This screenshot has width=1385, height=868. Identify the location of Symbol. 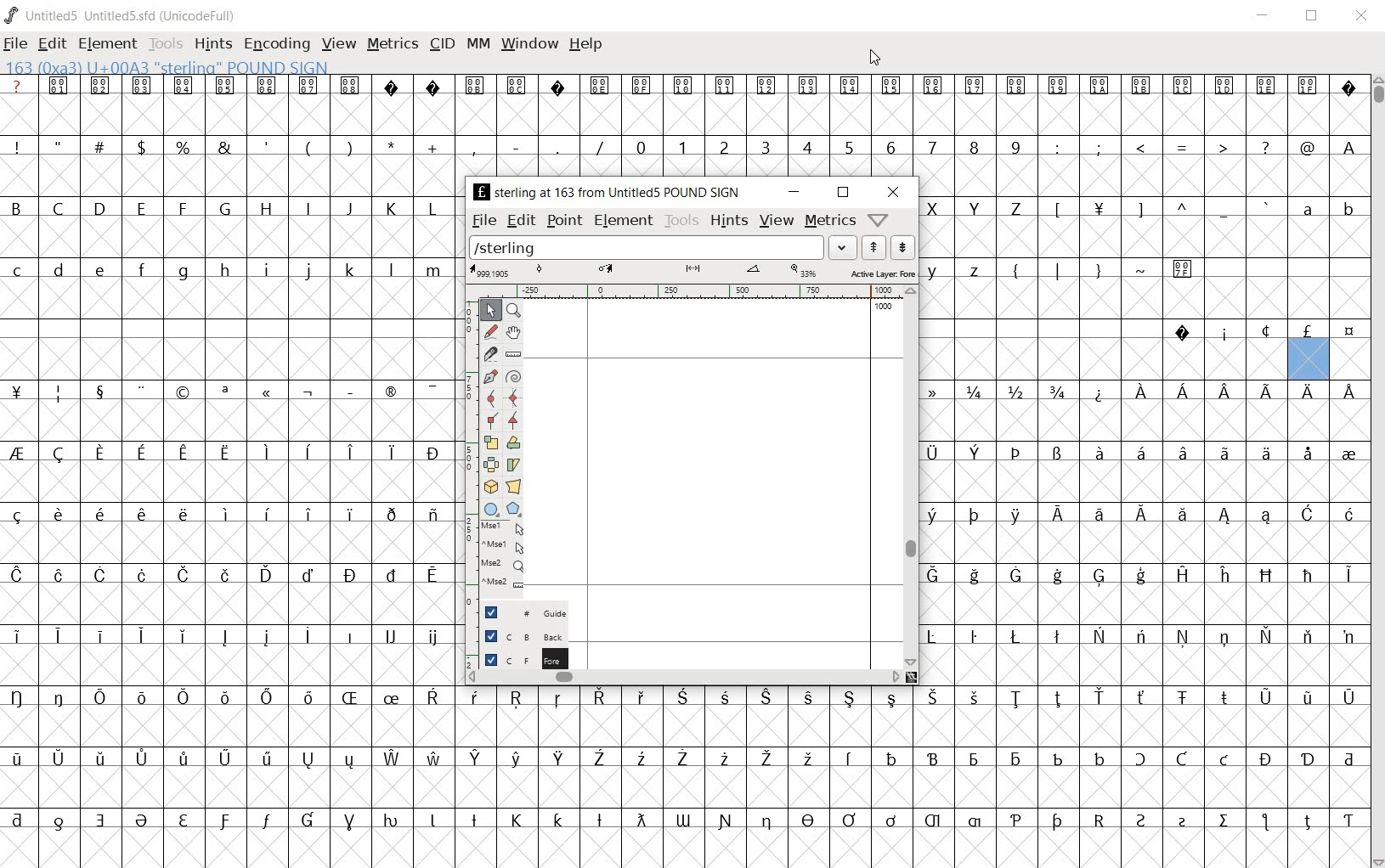
(308, 573).